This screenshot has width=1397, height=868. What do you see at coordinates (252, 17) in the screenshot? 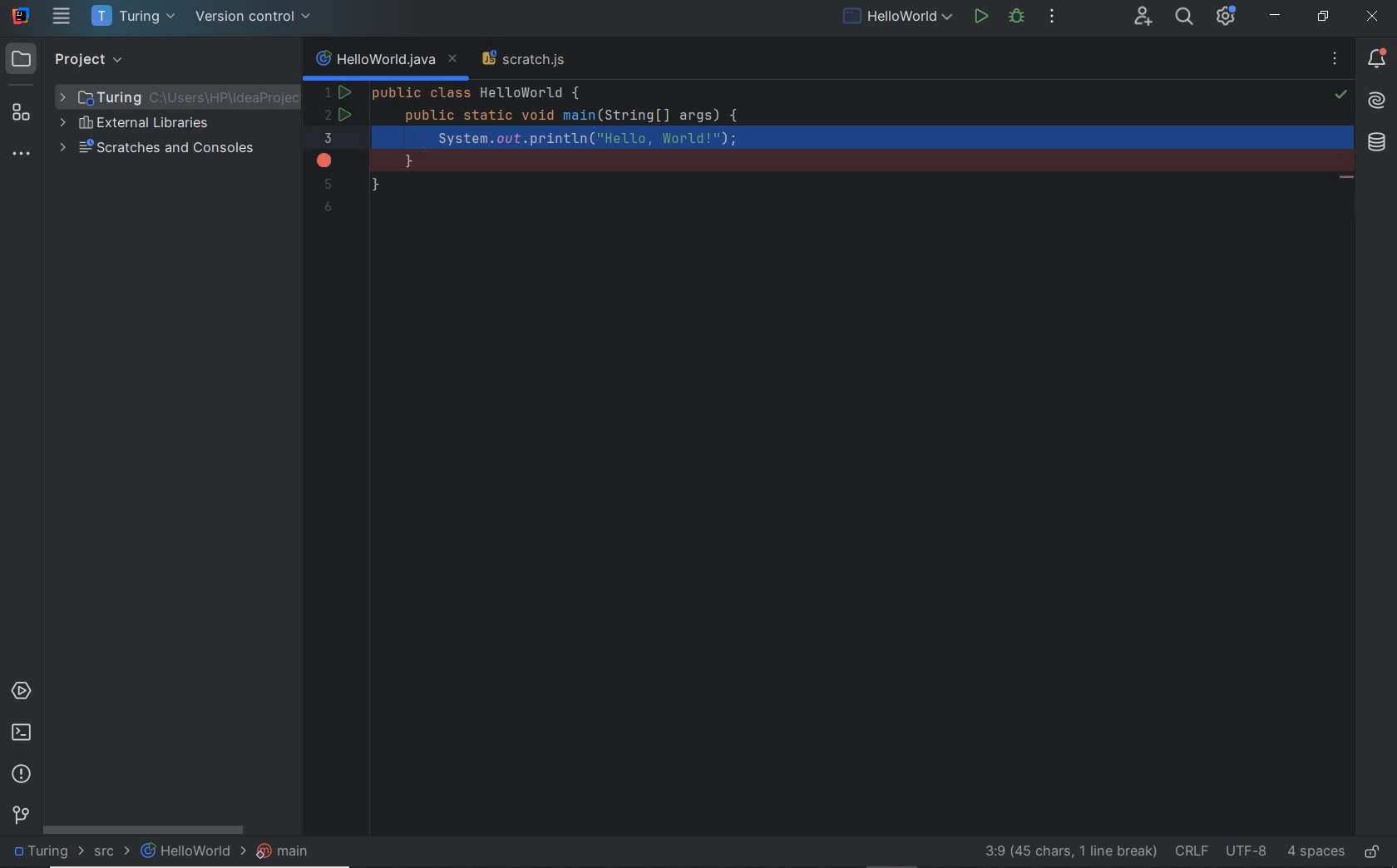
I see `version control` at bounding box center [252, 17].